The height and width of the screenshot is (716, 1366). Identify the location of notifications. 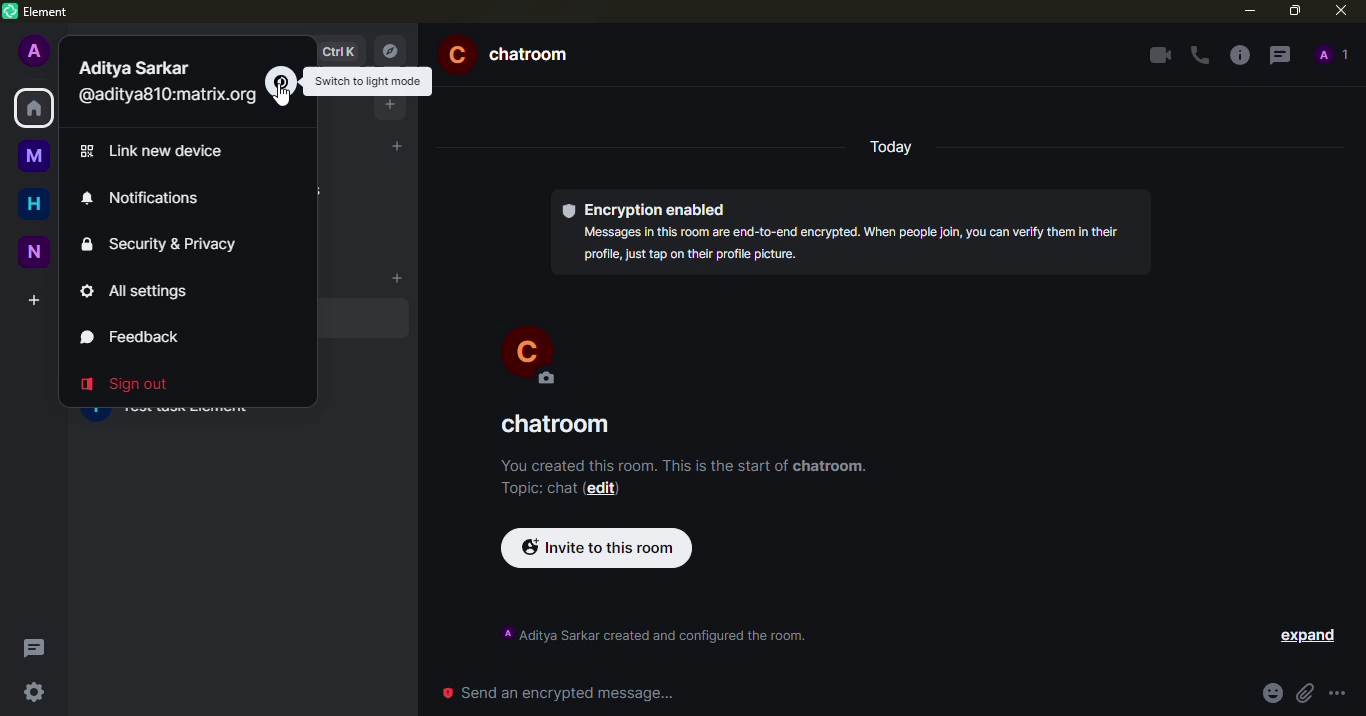
(145, 198).